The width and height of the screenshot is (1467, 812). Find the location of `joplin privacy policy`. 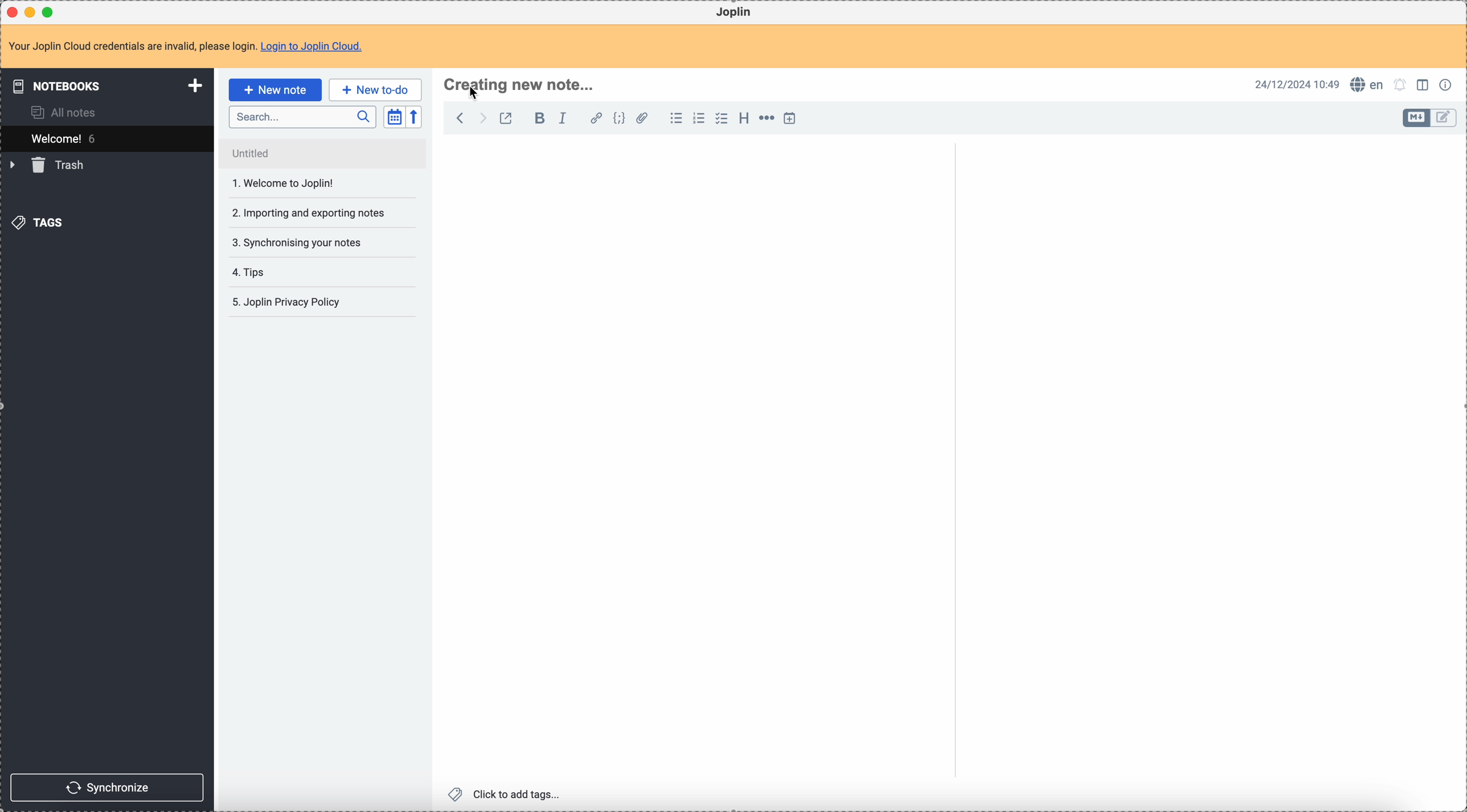

joplin privacy policy is located at coordinates (290, 304).